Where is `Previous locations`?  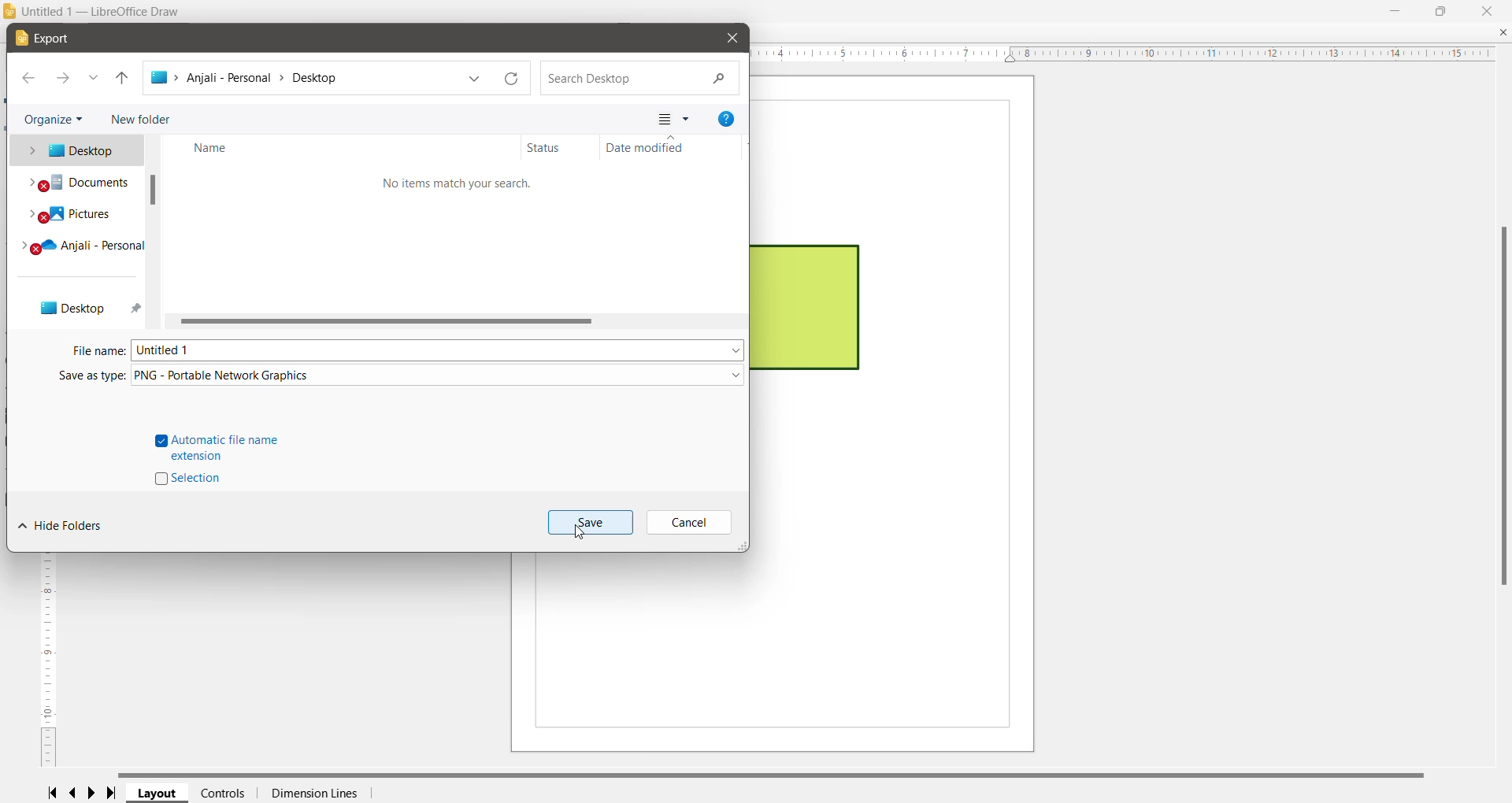
Previous locations is located at coordinates (475, 80).